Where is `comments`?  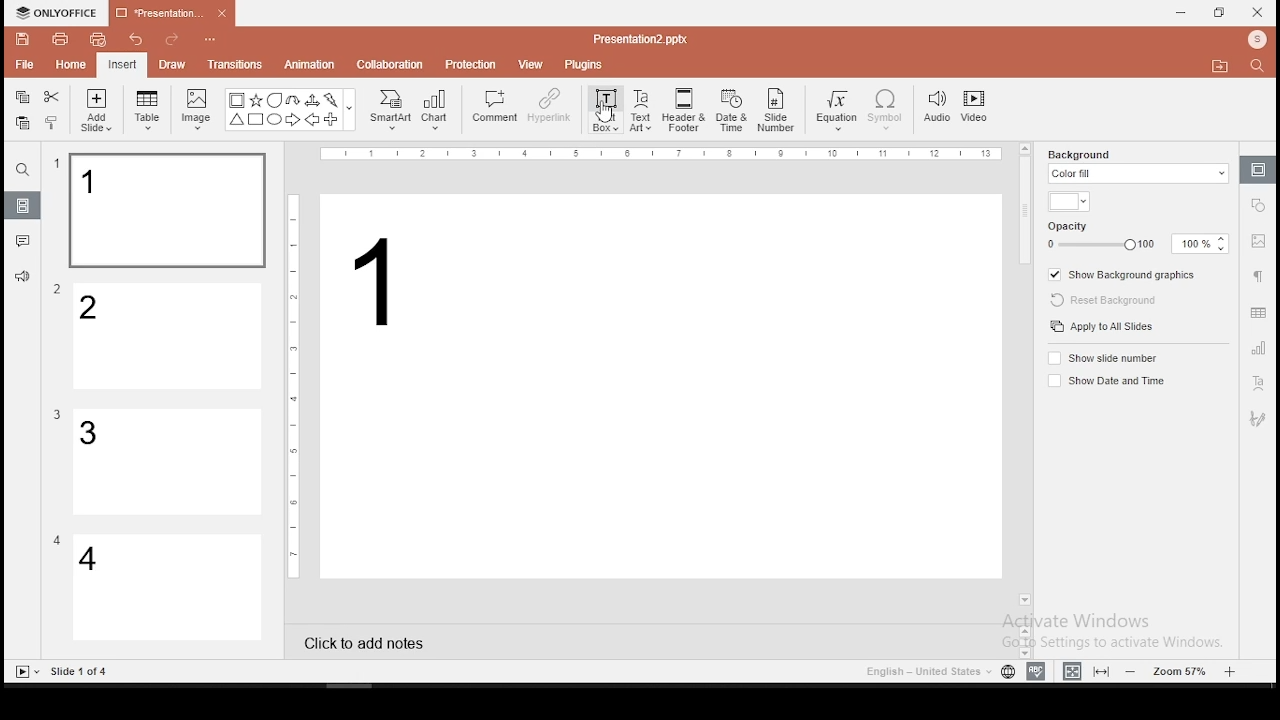
comments is located at coordinates (23, 241).